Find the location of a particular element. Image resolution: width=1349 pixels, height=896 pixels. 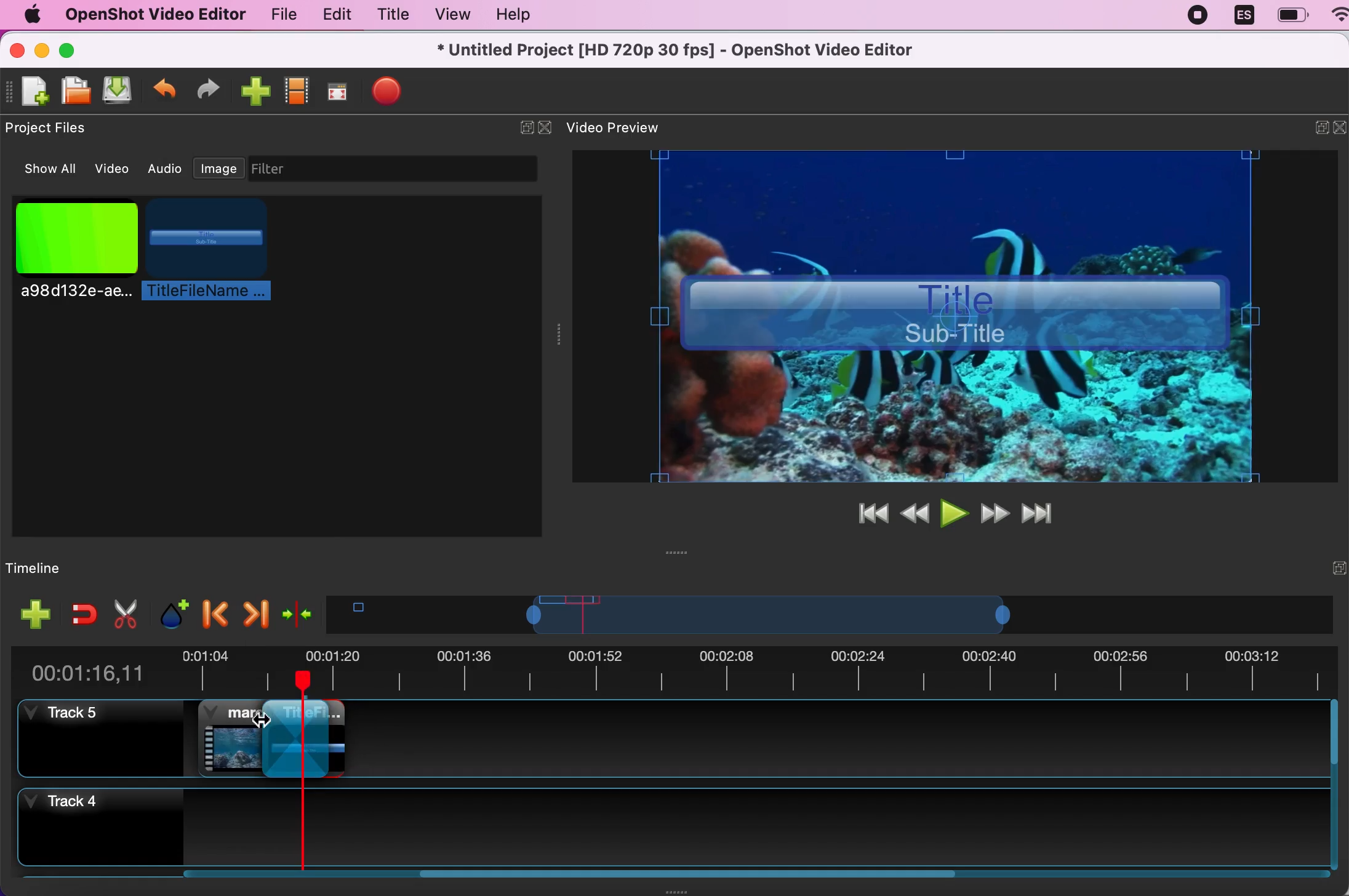

undo is located at coordinates (166, 89).